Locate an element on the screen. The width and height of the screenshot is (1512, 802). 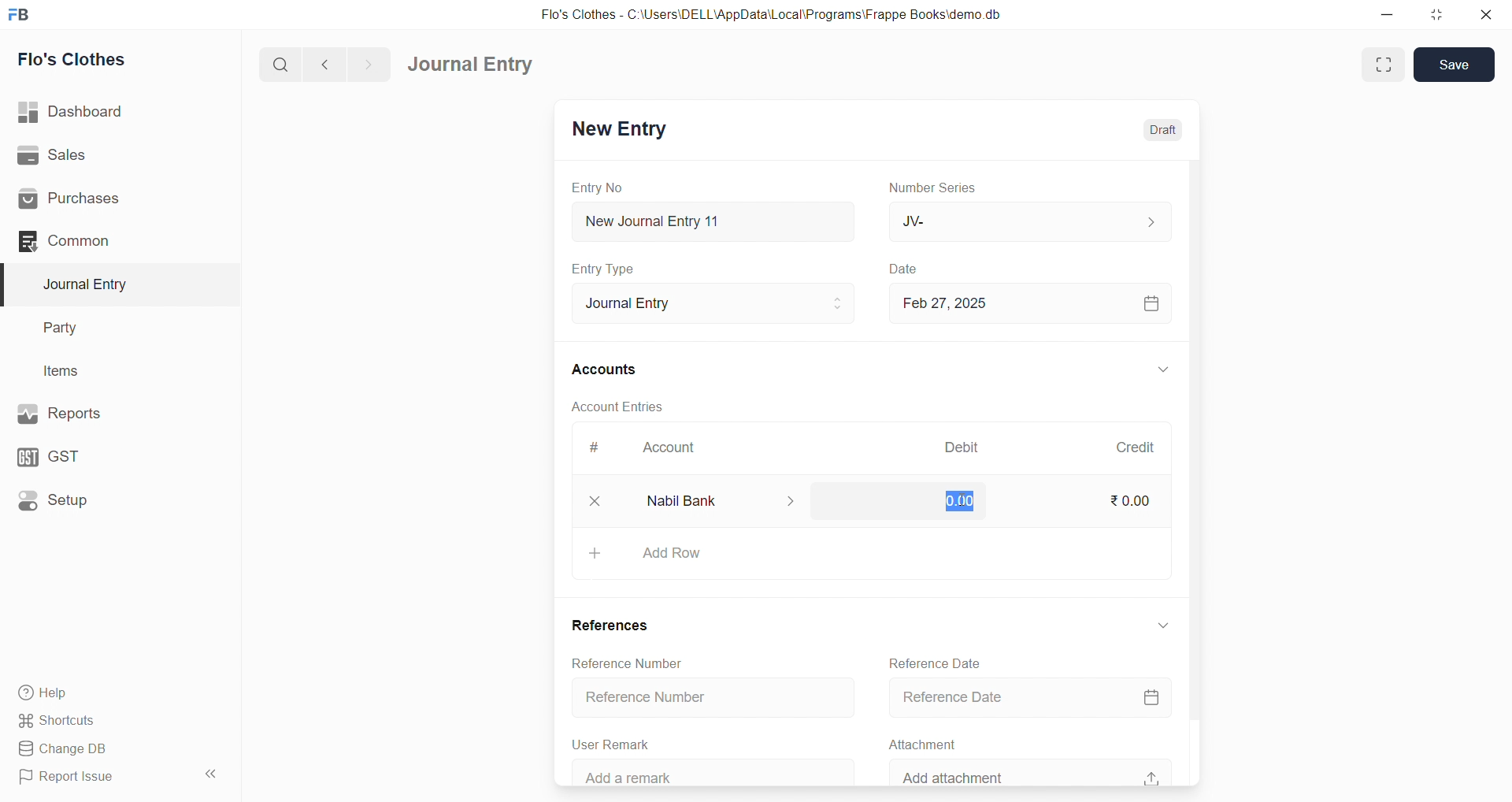
Journal Entry is located at coordinates (90, 284).